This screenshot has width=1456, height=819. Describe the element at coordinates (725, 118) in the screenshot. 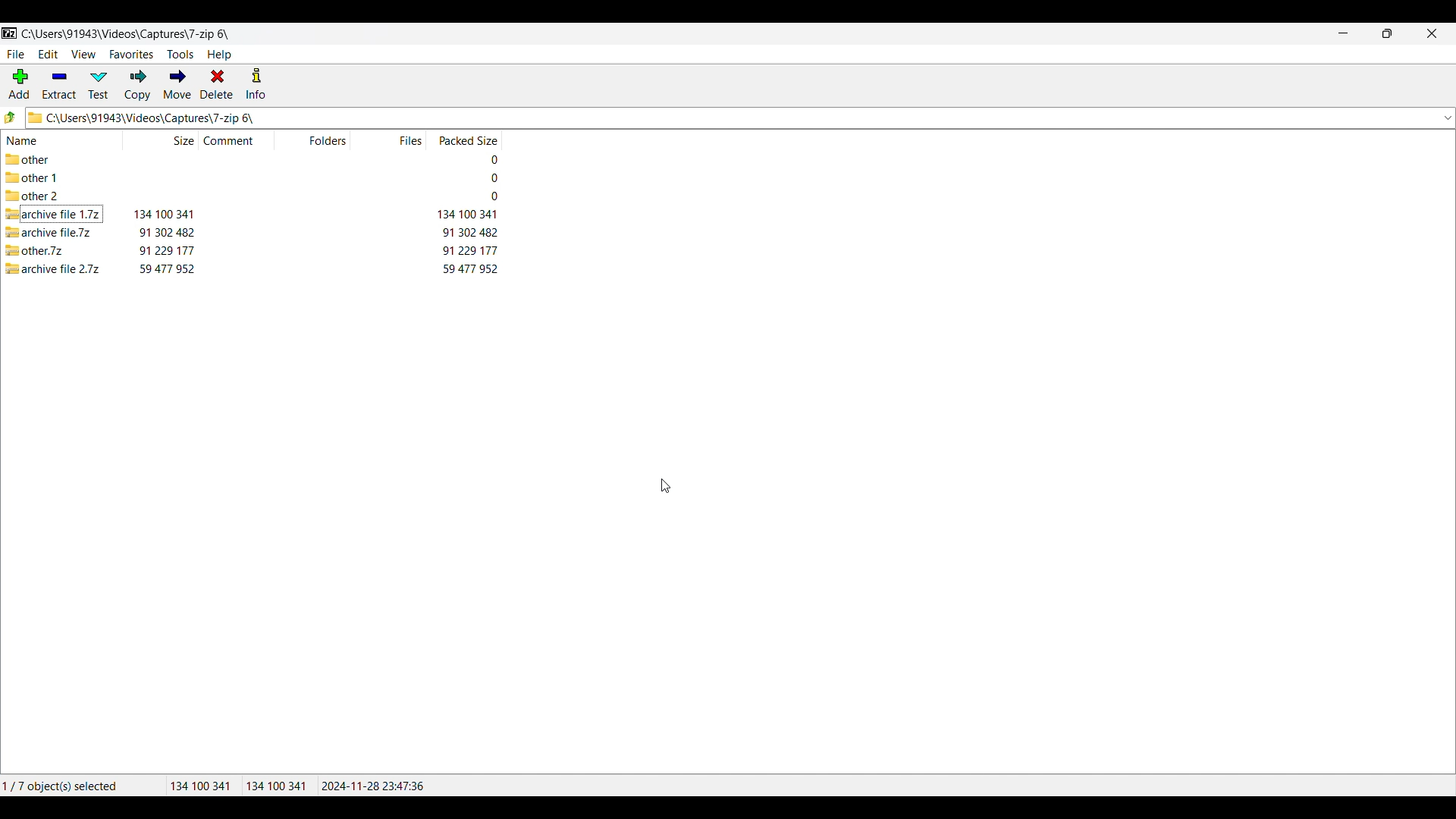

I see `C:\Users\91943\Videos\Captures\7-zip 6\` at that location.